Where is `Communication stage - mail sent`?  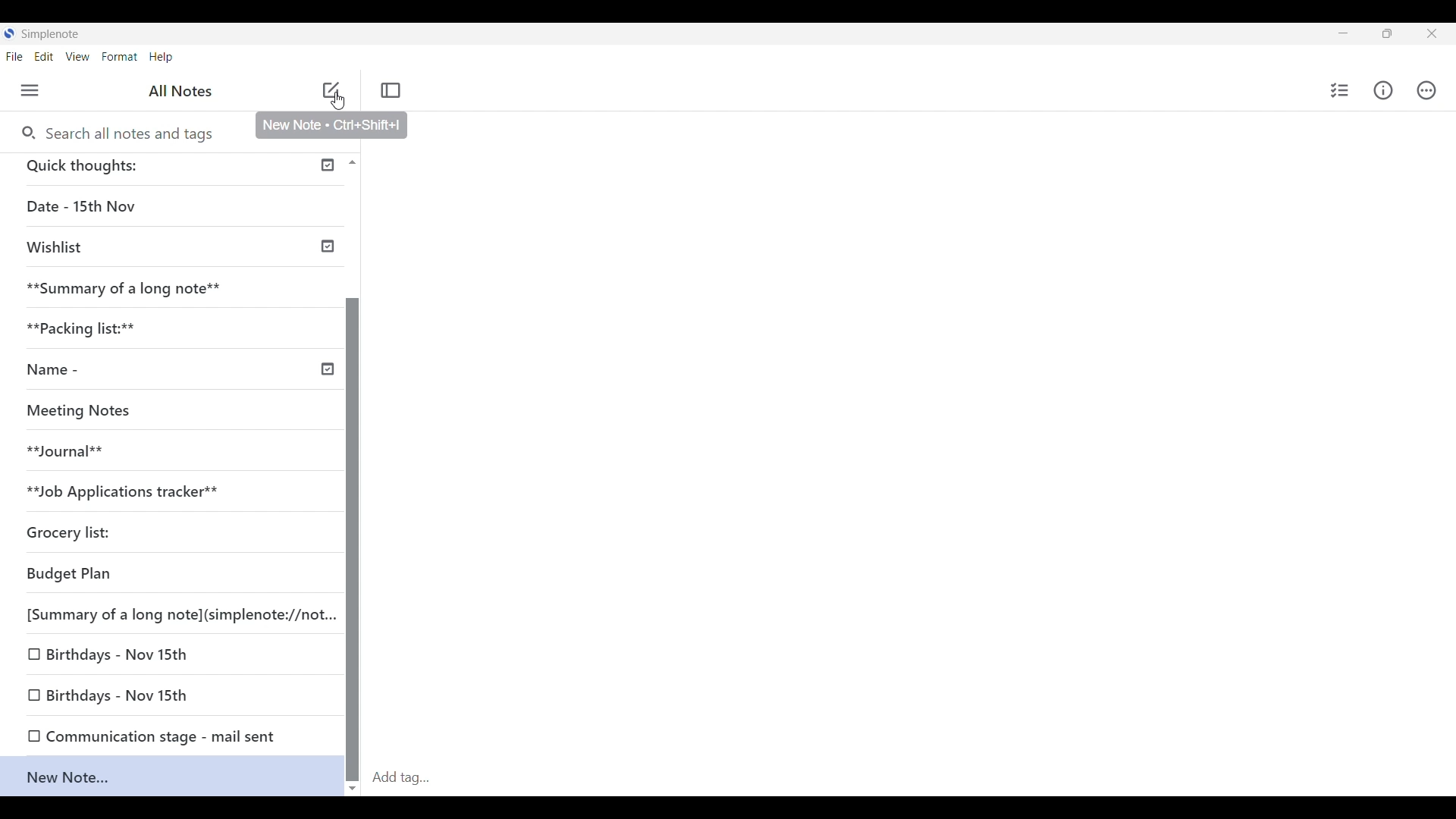 Communication stage - mail sent is located at coordinates (173, 736).